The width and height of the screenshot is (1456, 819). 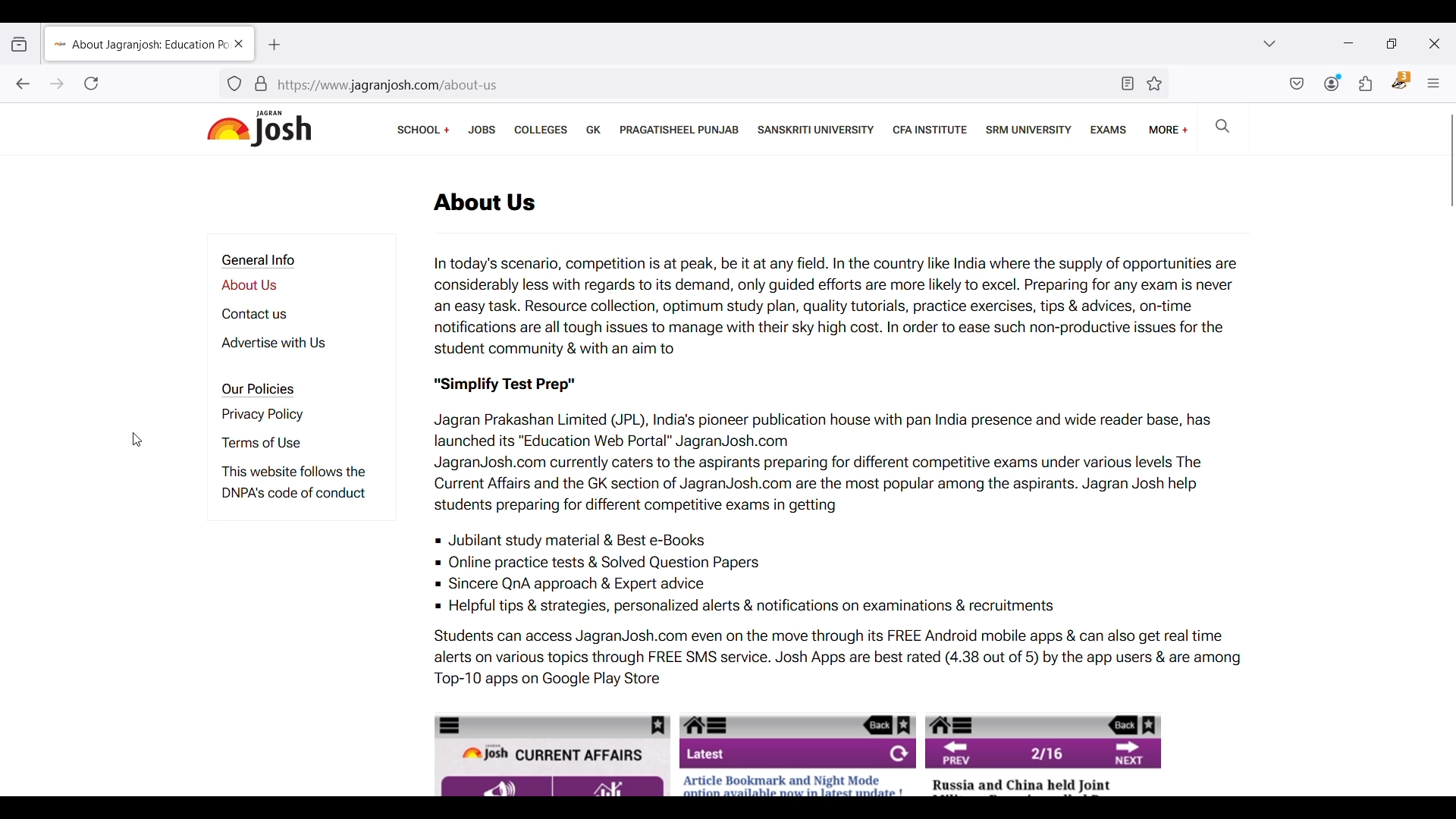 What do you see at coordinates (20, 44) in the screenshot?
I see `View recent browsing across windows and devices` at bounding box center [20, 44].